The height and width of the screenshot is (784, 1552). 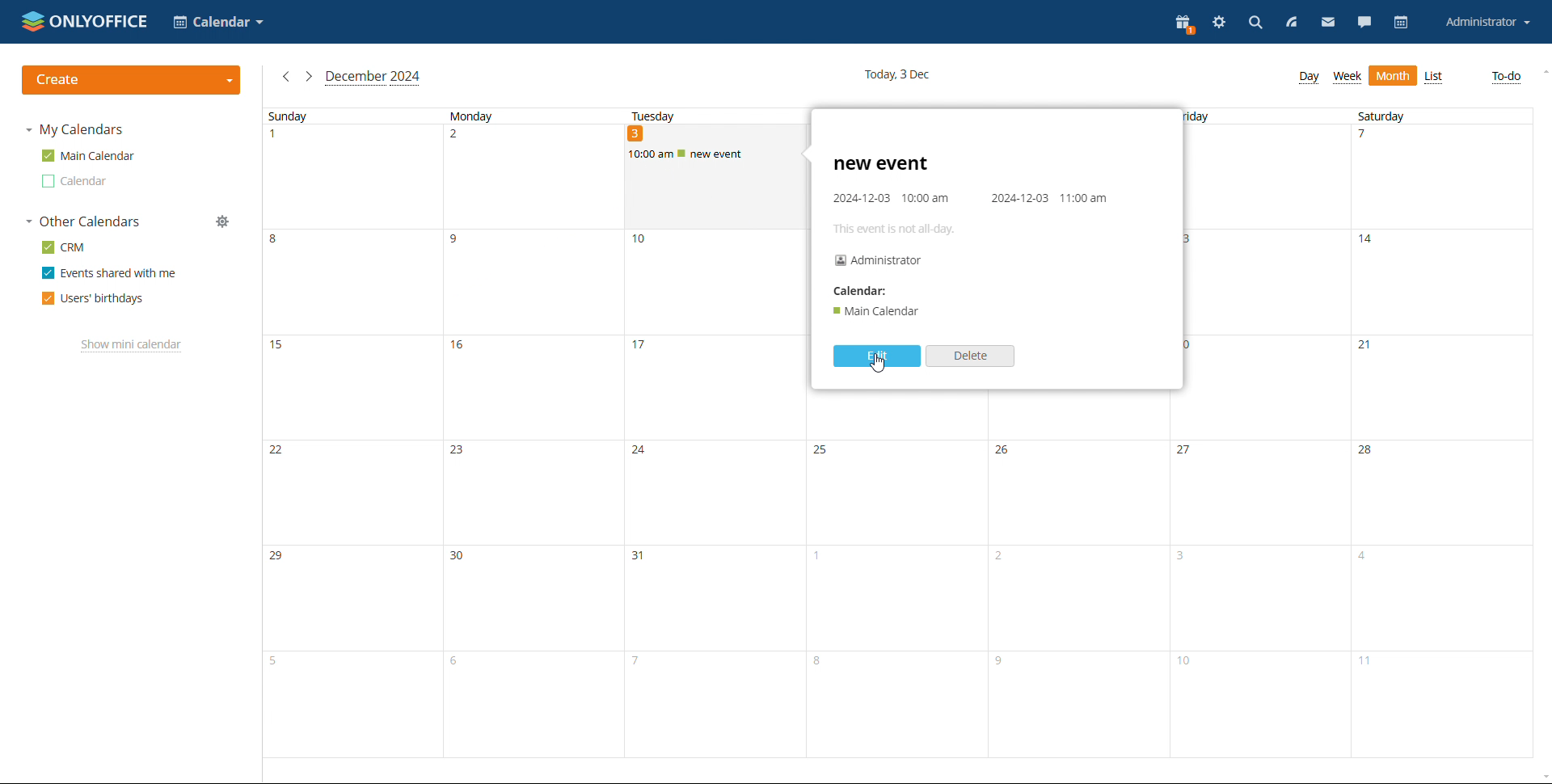 What do you see at coordinates (1264, 176) in the screenshot?
I see `6` at bounding box center [1264, 176].